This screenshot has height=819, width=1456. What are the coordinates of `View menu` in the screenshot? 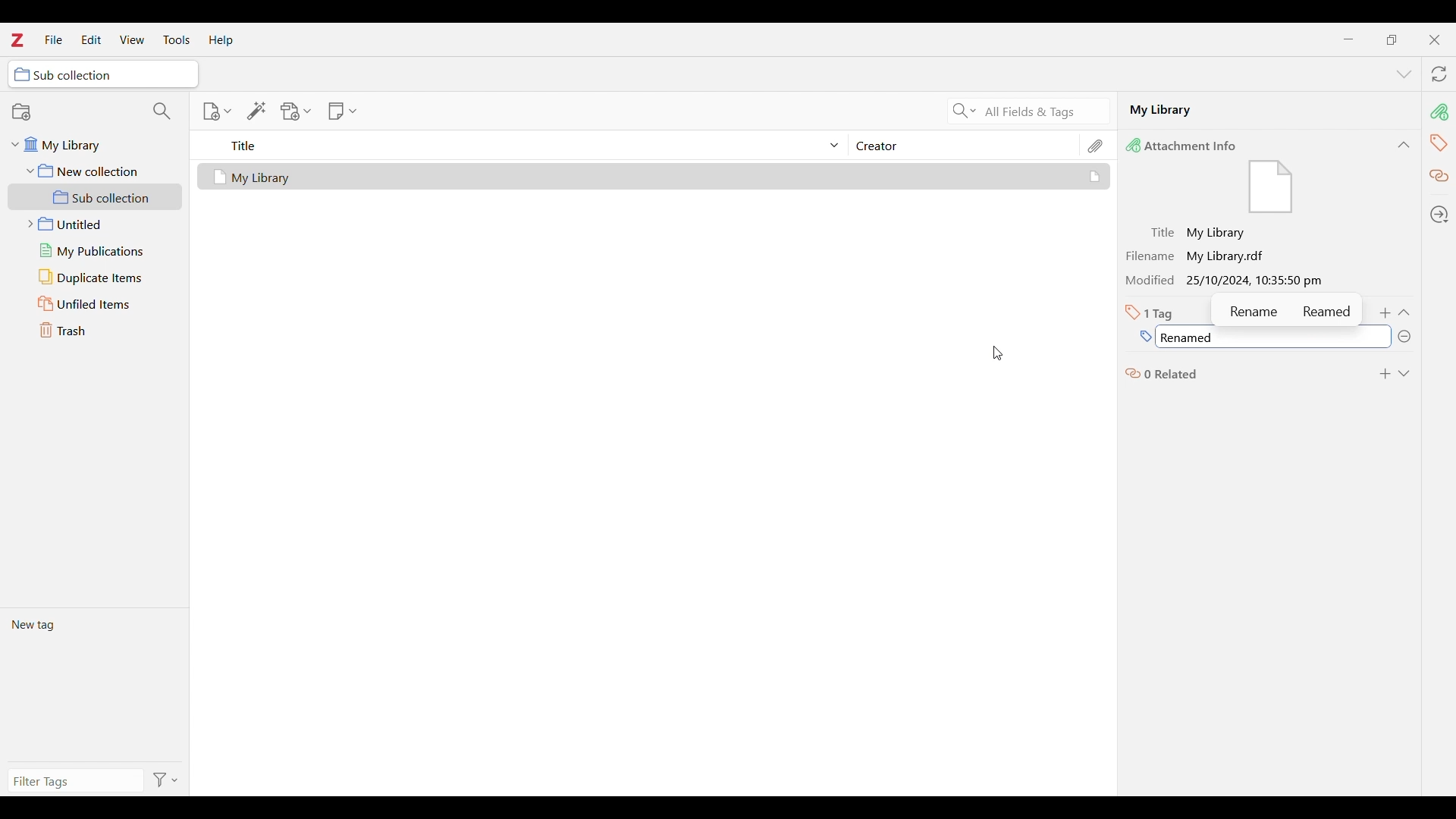 It's located at (133, 39).